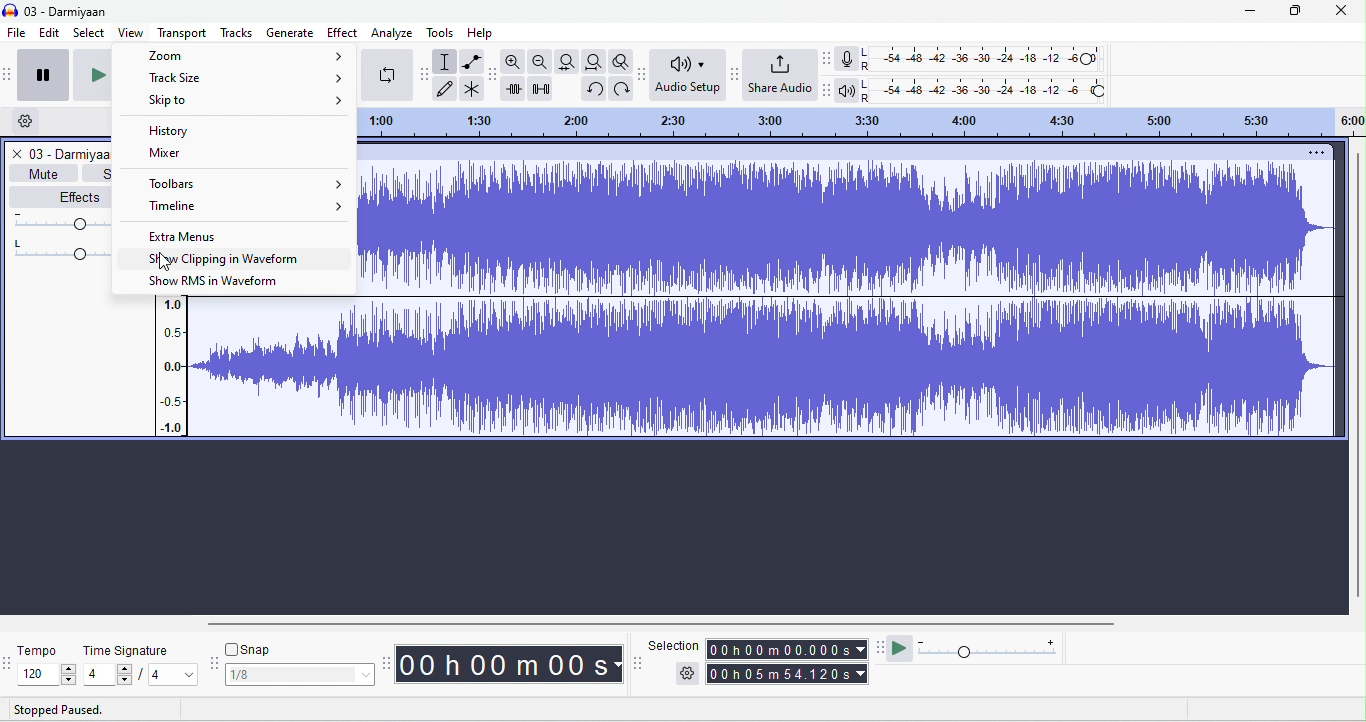 This screenshot has height=722, width=1366. Describe the element at coordinates (593, 89) in the screenshot. I see `redo` at that location.